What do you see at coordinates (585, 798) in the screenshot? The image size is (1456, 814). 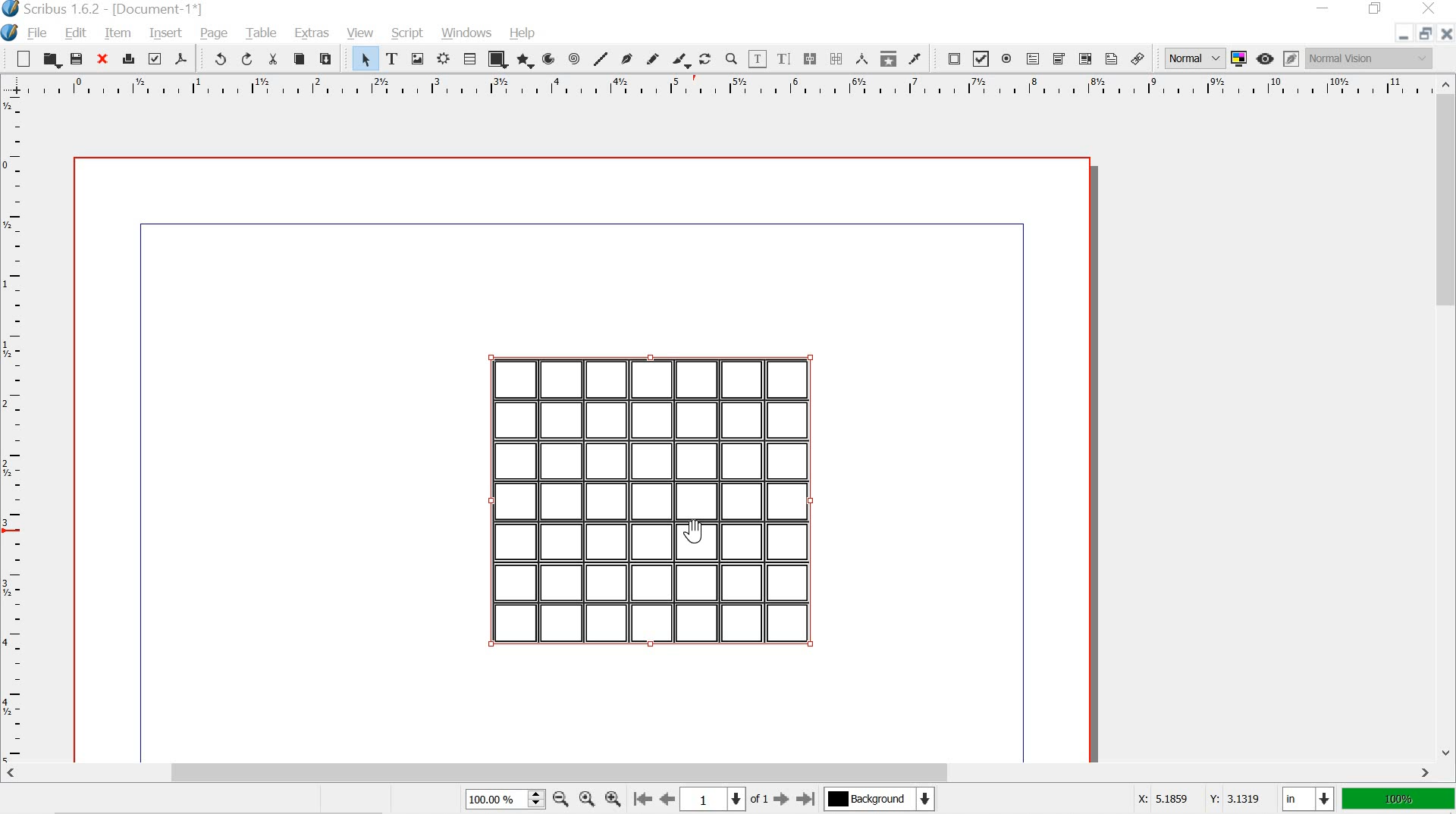 I see `zoom to` at bounding box center [585, 798].